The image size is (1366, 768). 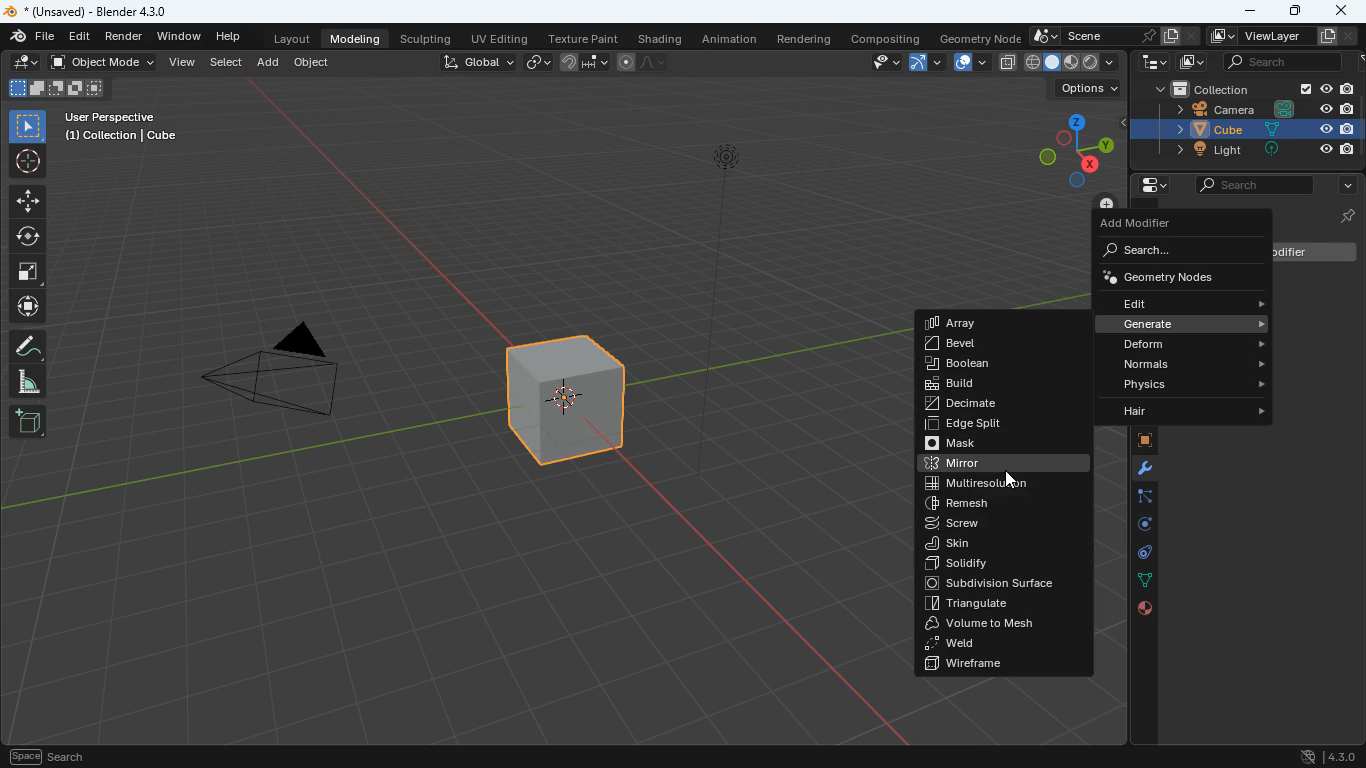 What do you see at coordinates (974, 37) in the screenshot?
I see `geometry node` at bounding box center [974, 37].